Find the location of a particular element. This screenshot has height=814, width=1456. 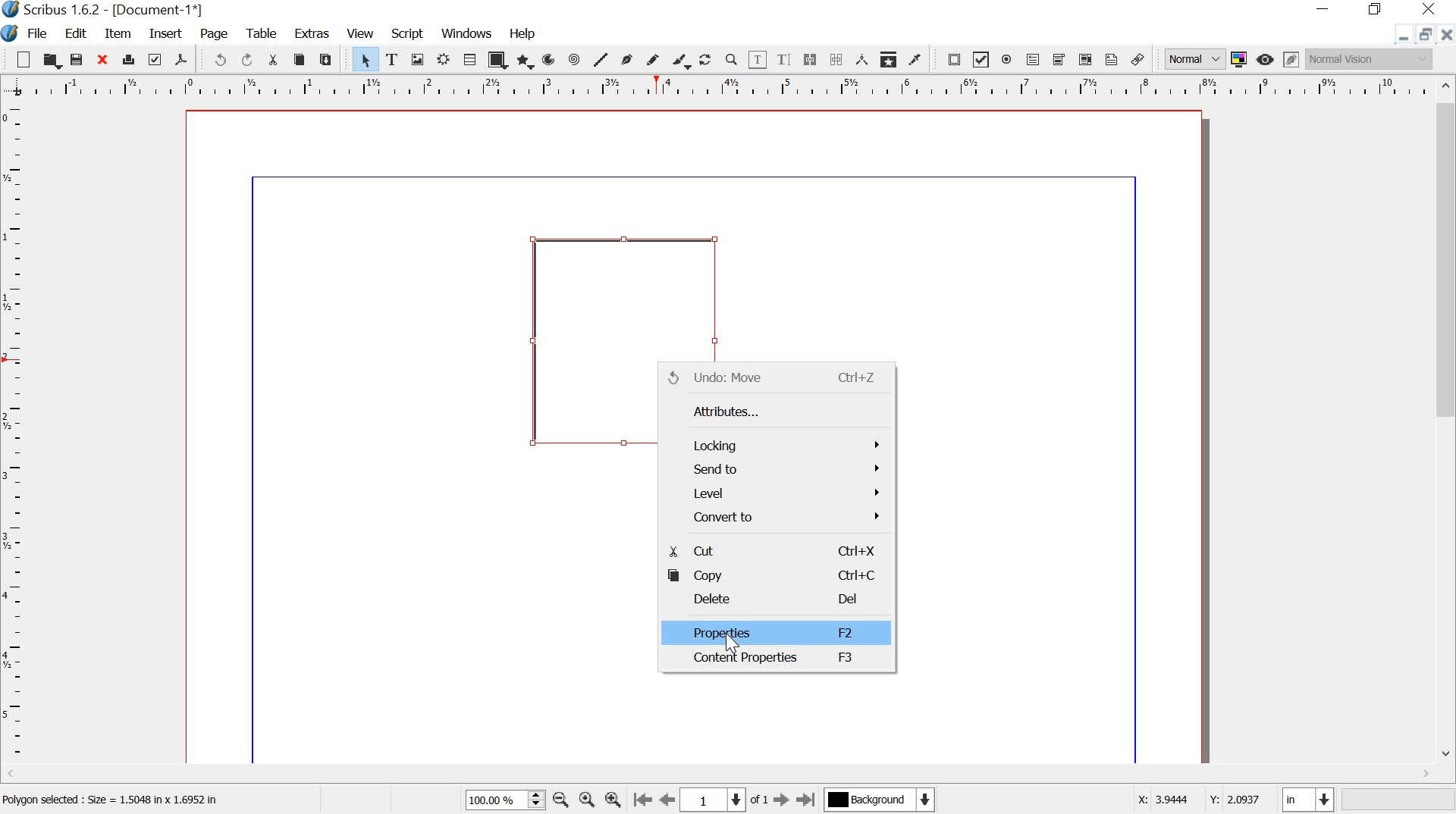

calligraphic line is located at coordinates (682, 62).